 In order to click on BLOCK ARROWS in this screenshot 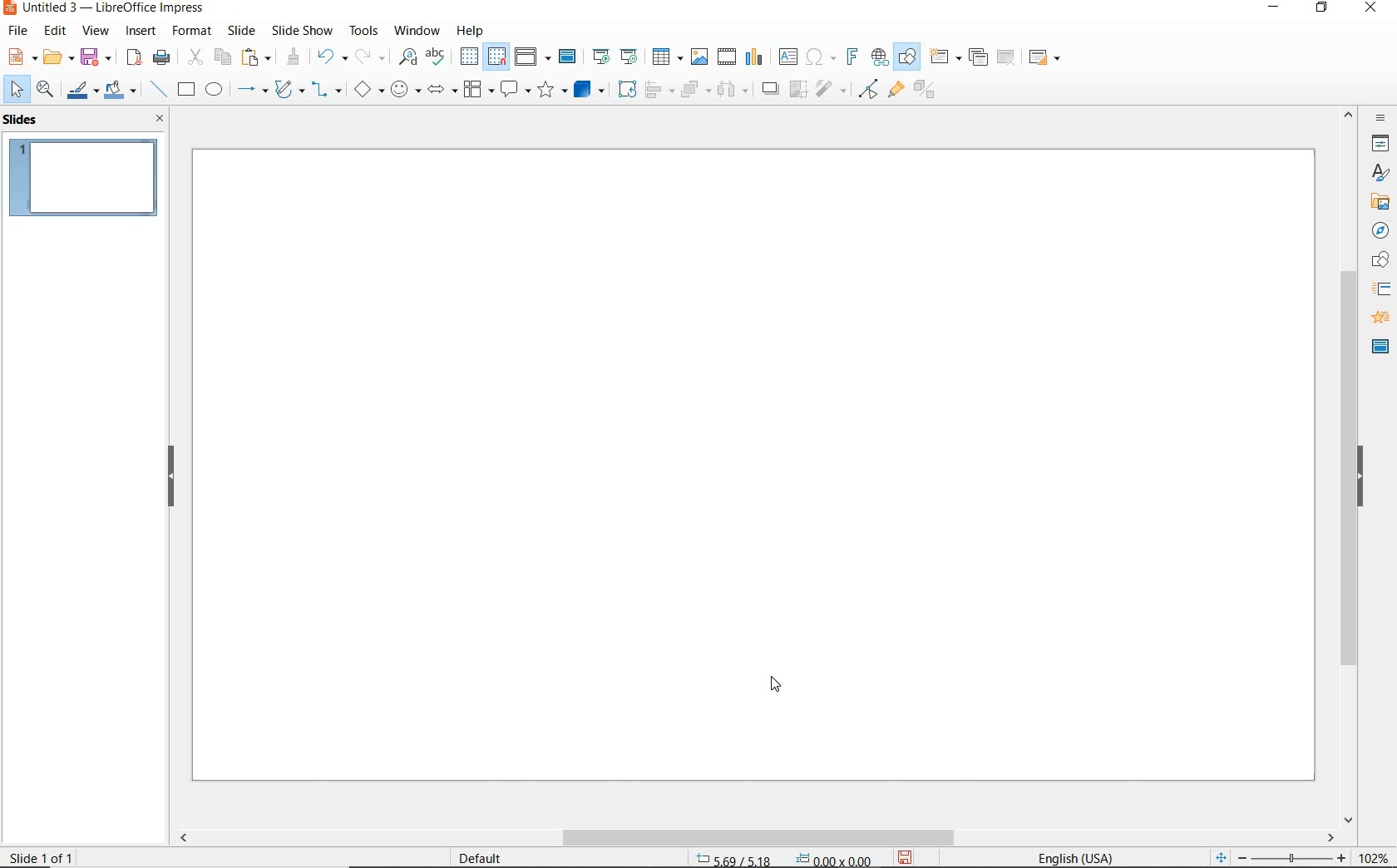, I will do `click(442, 87)`.